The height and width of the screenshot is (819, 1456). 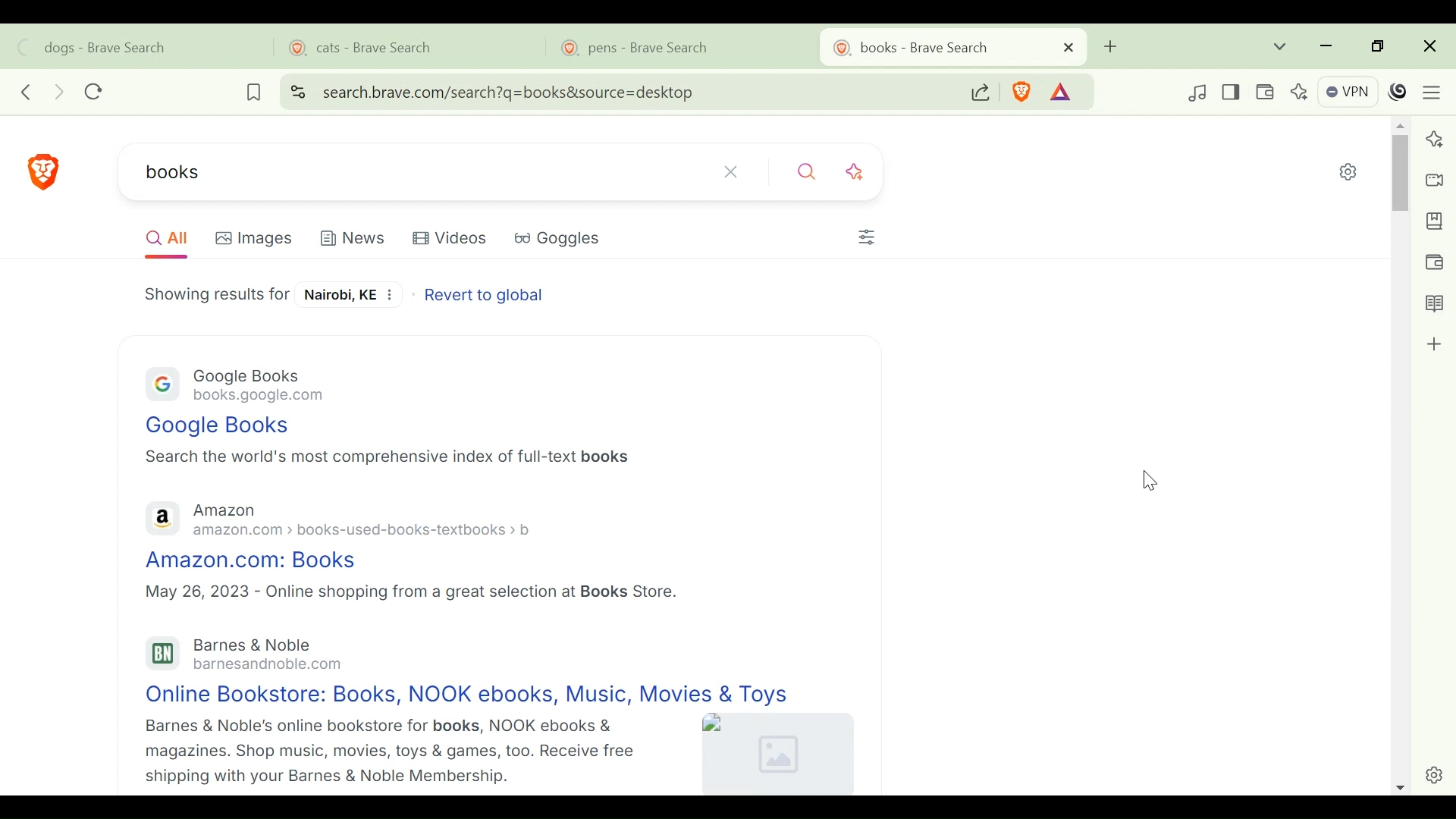 What do you see at coordinates (1022, 89) in the screenshot?
I see `Brave Shield` at bounding box center [1022, 89].